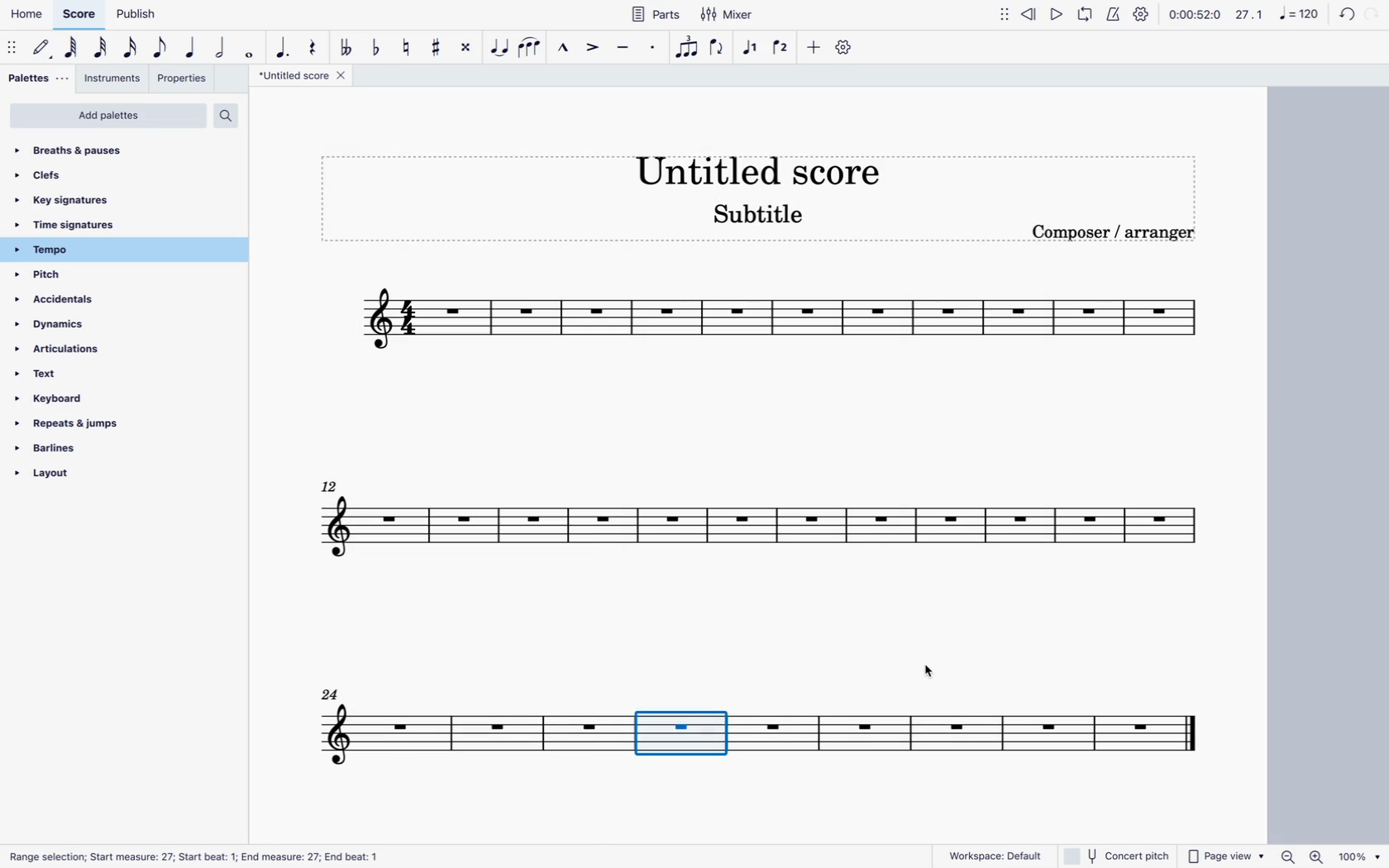 The width and height of the screenshot is (1389, 868). I want to click on workspace, so click(996, 855).